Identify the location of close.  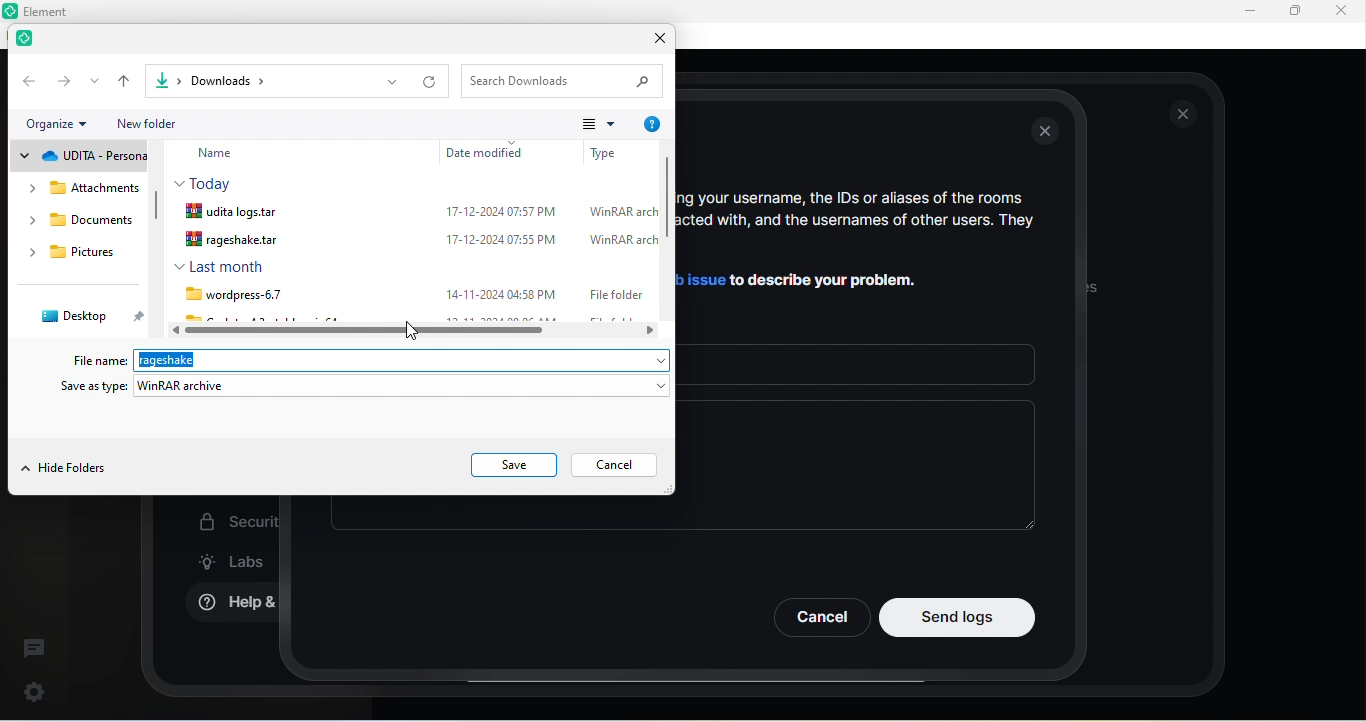
(1340, 10).